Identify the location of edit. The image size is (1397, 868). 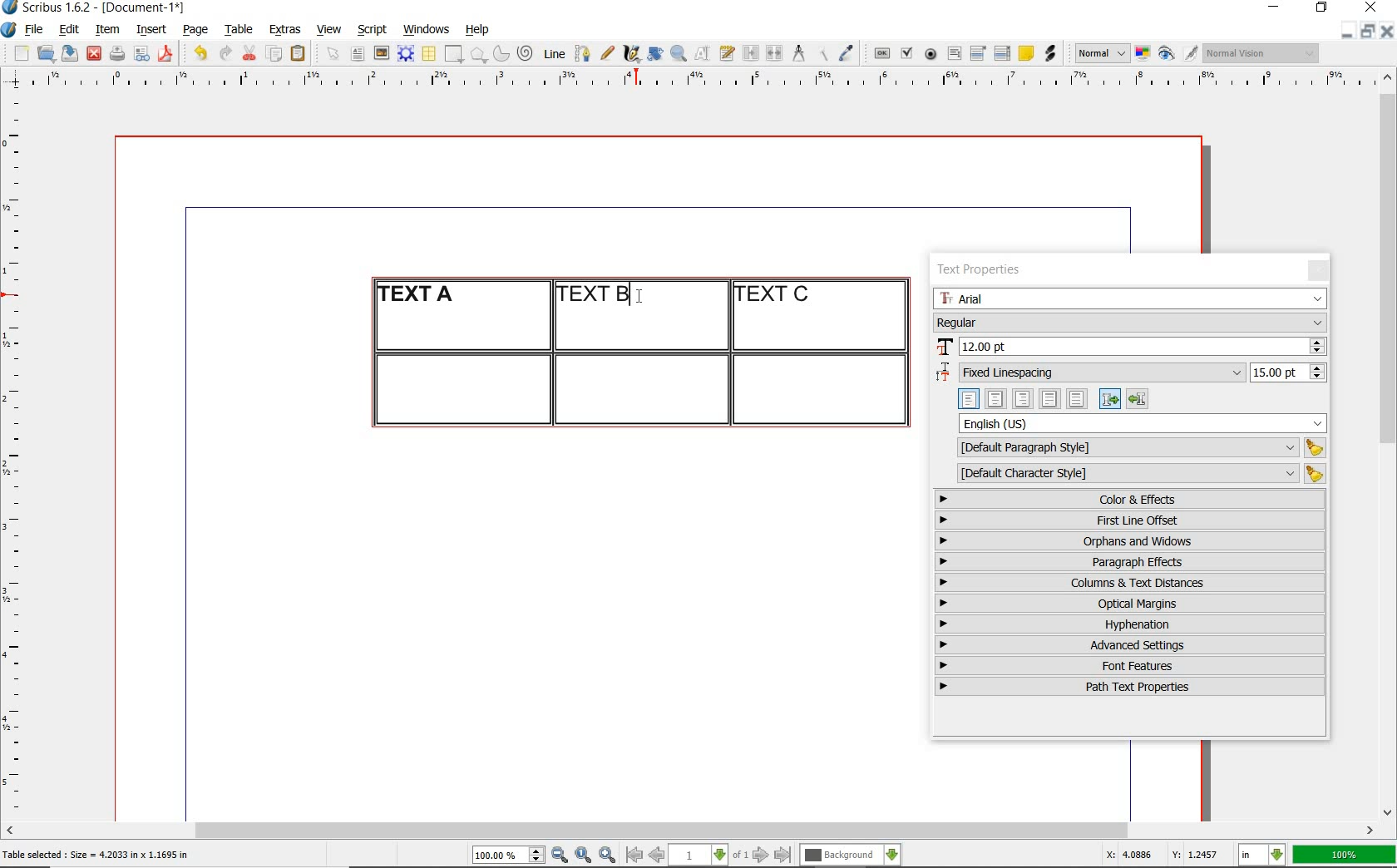
(70, 29).